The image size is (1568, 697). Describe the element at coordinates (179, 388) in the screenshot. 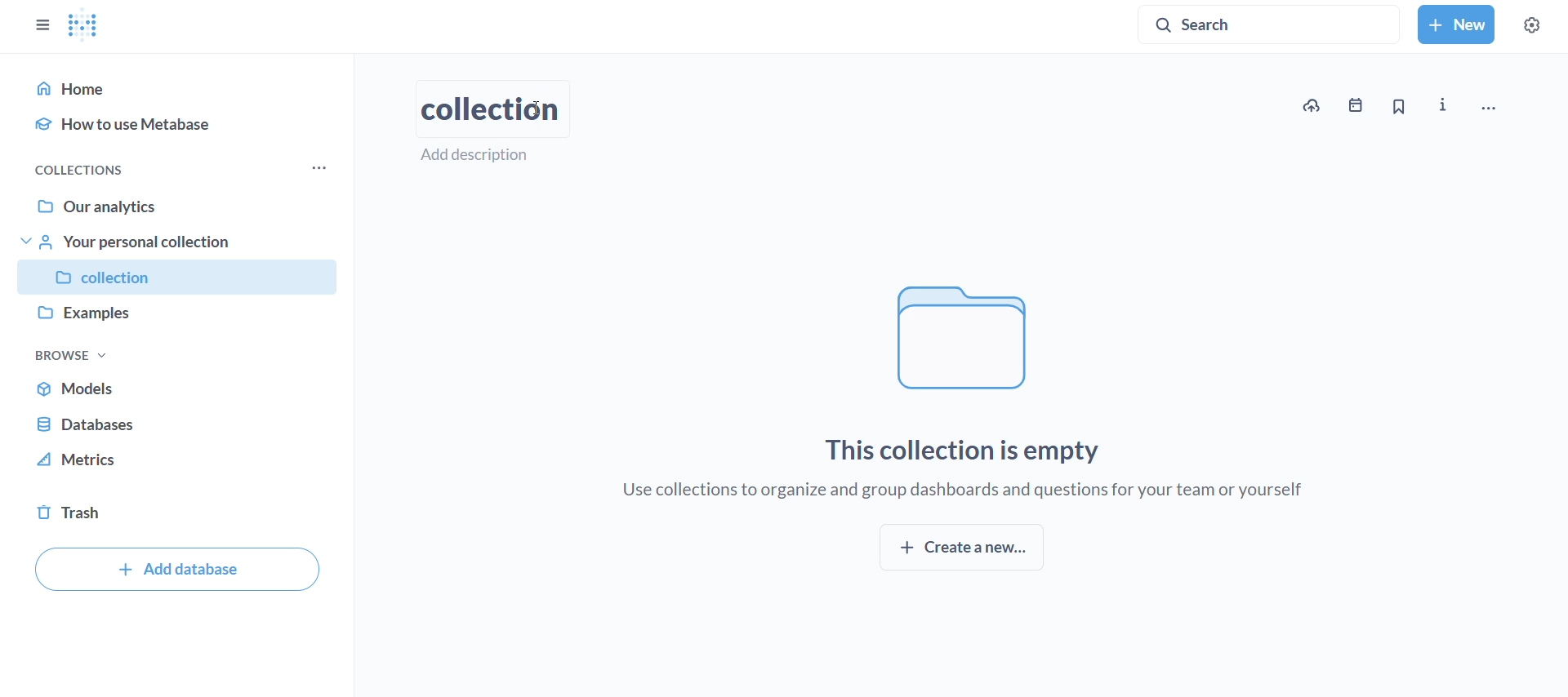

I see `models` at that location.